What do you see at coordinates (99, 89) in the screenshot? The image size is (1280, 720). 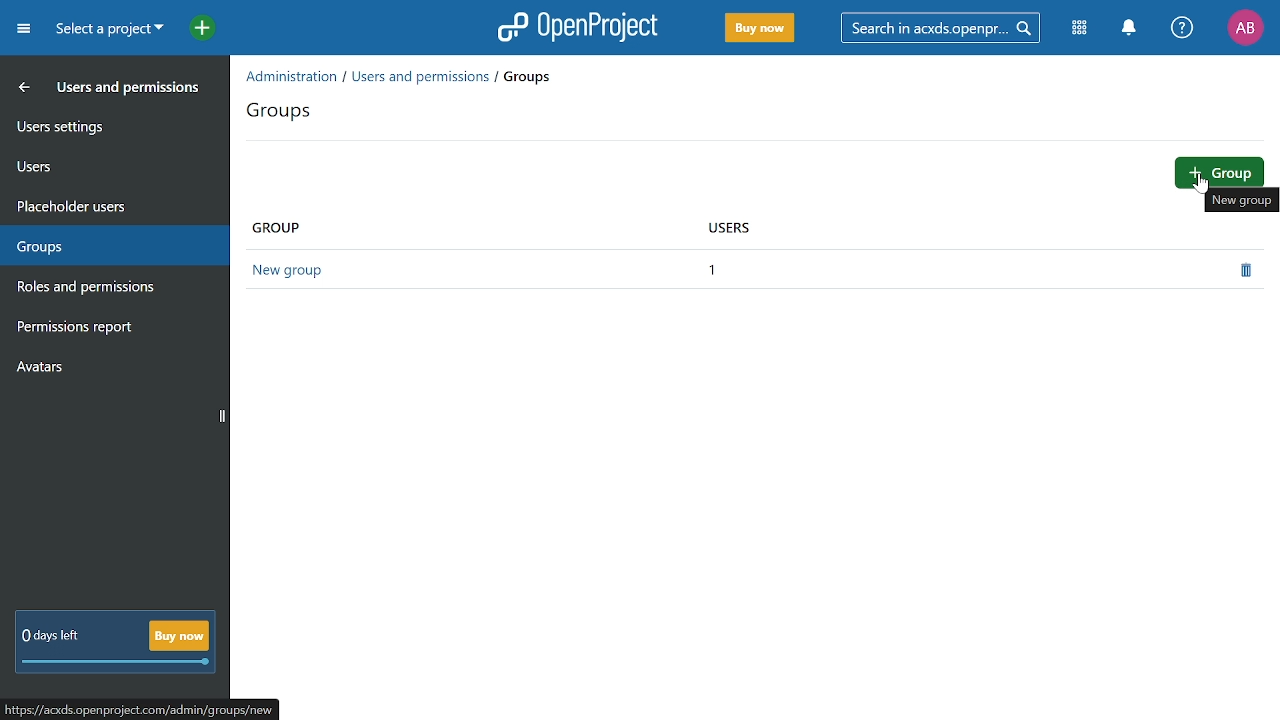 I see `Users and permission` at bounding box center [99, 89].